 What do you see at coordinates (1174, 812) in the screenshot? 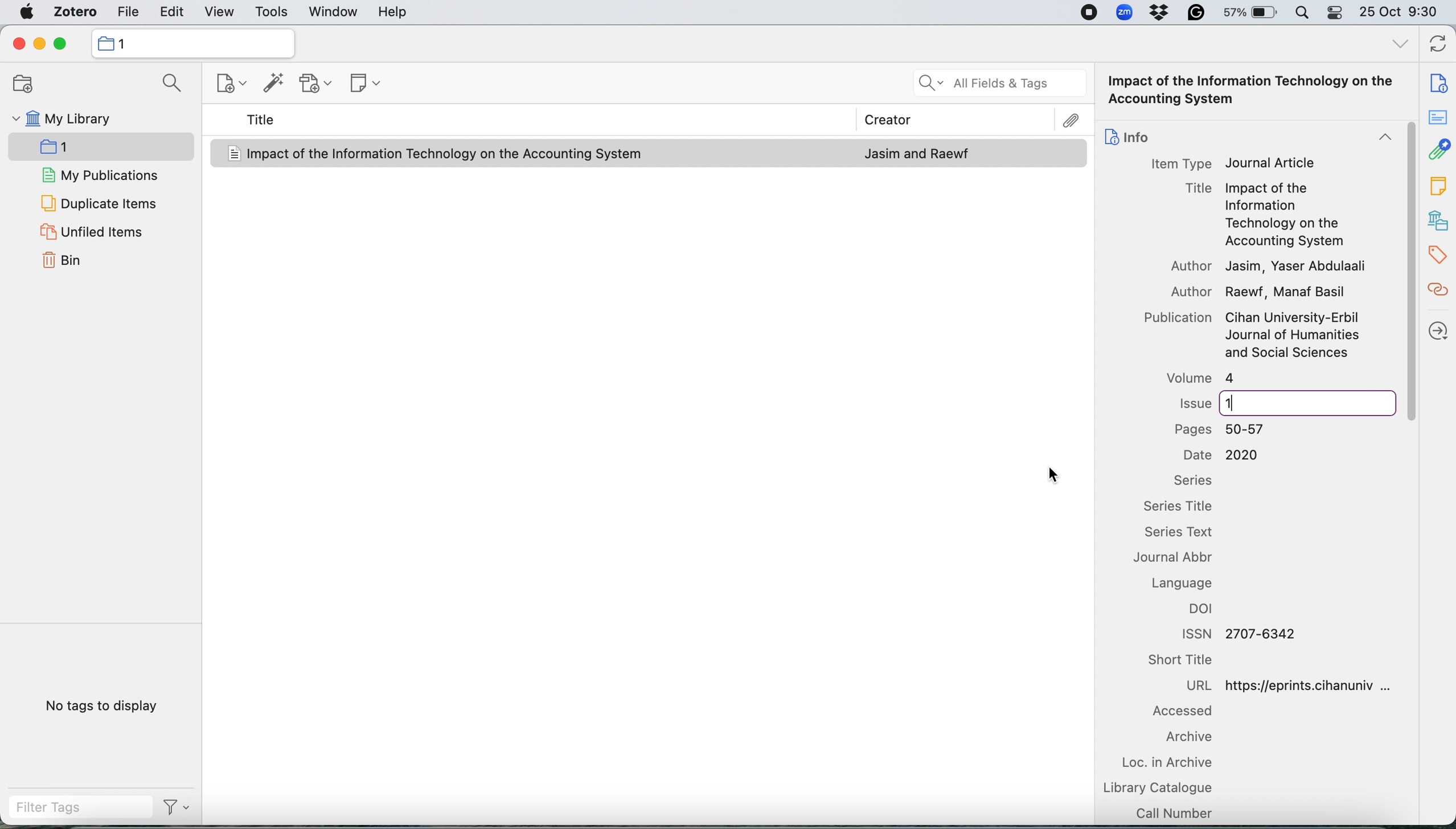
I see `call number` at bounding box center [1174, 812].